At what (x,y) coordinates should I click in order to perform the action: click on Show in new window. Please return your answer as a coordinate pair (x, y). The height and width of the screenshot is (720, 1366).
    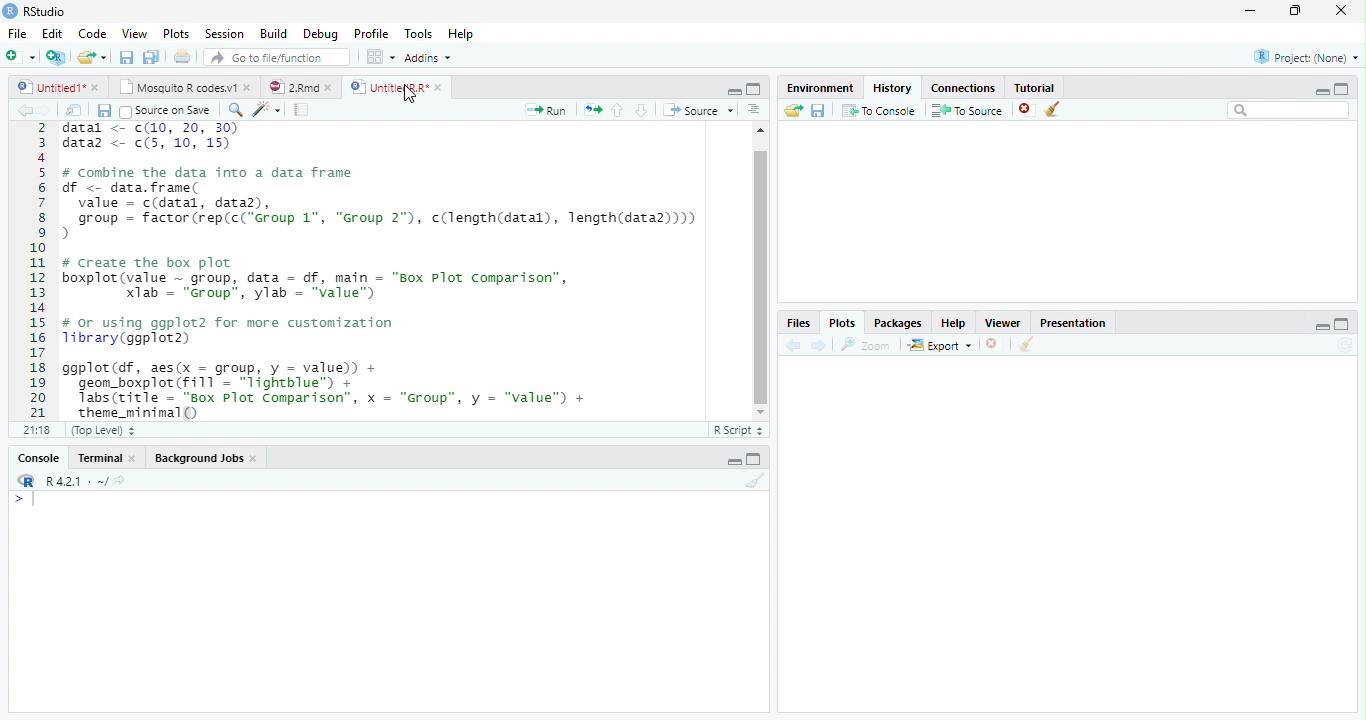
    Looking at the image, I should click on (74, 109).